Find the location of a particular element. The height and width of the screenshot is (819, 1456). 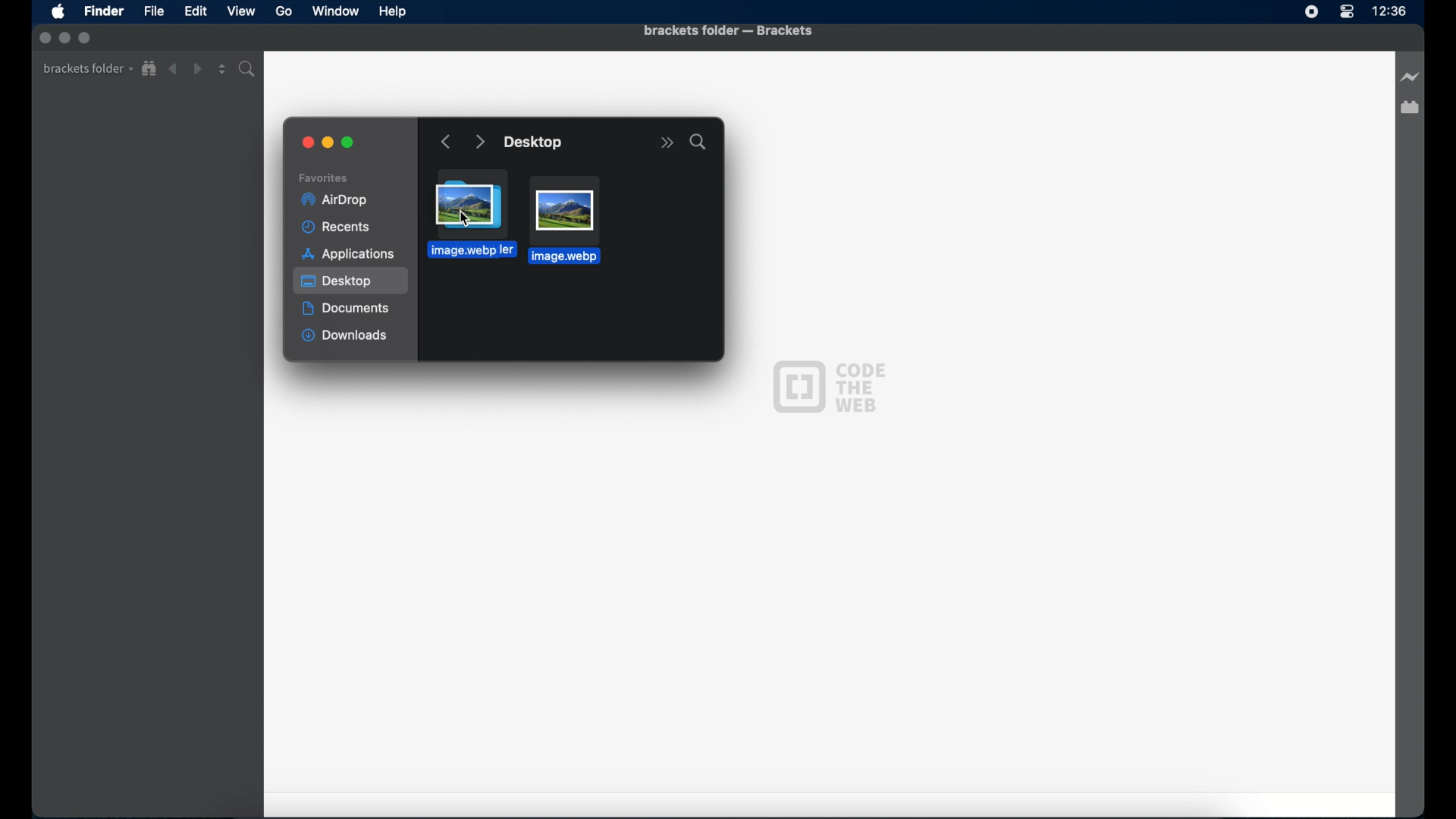

Go is located at coordinates (284, 11).